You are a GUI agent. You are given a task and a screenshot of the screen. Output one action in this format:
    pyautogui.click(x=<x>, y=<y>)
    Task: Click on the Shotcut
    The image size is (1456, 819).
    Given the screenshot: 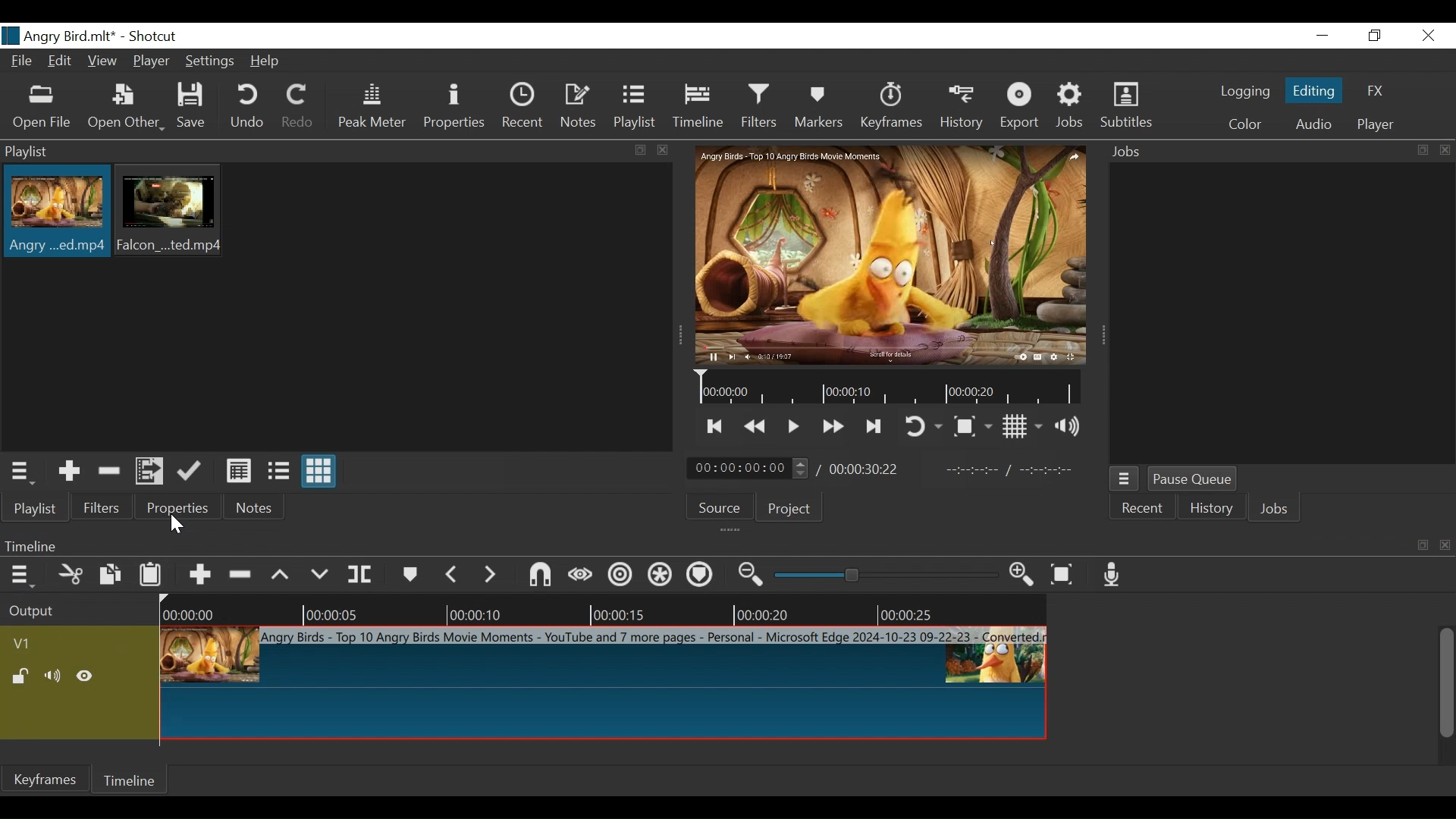 What is the action you would take?
    pyautogui.click(x=152, y=37)
    